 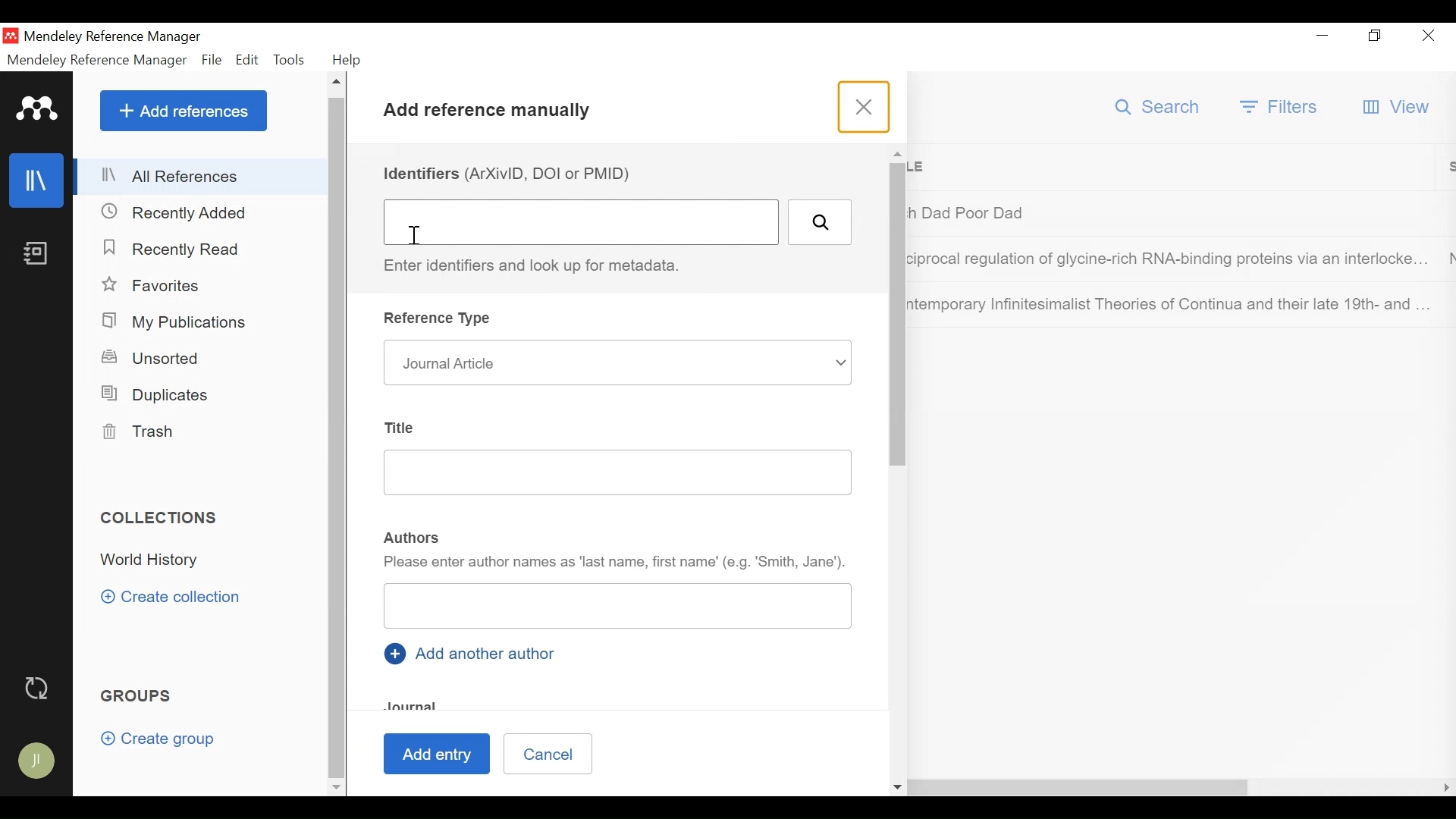 What do you see at coordinates (201, 177) in the screenshot?
I see `All References` at bounding box center [201, 177].